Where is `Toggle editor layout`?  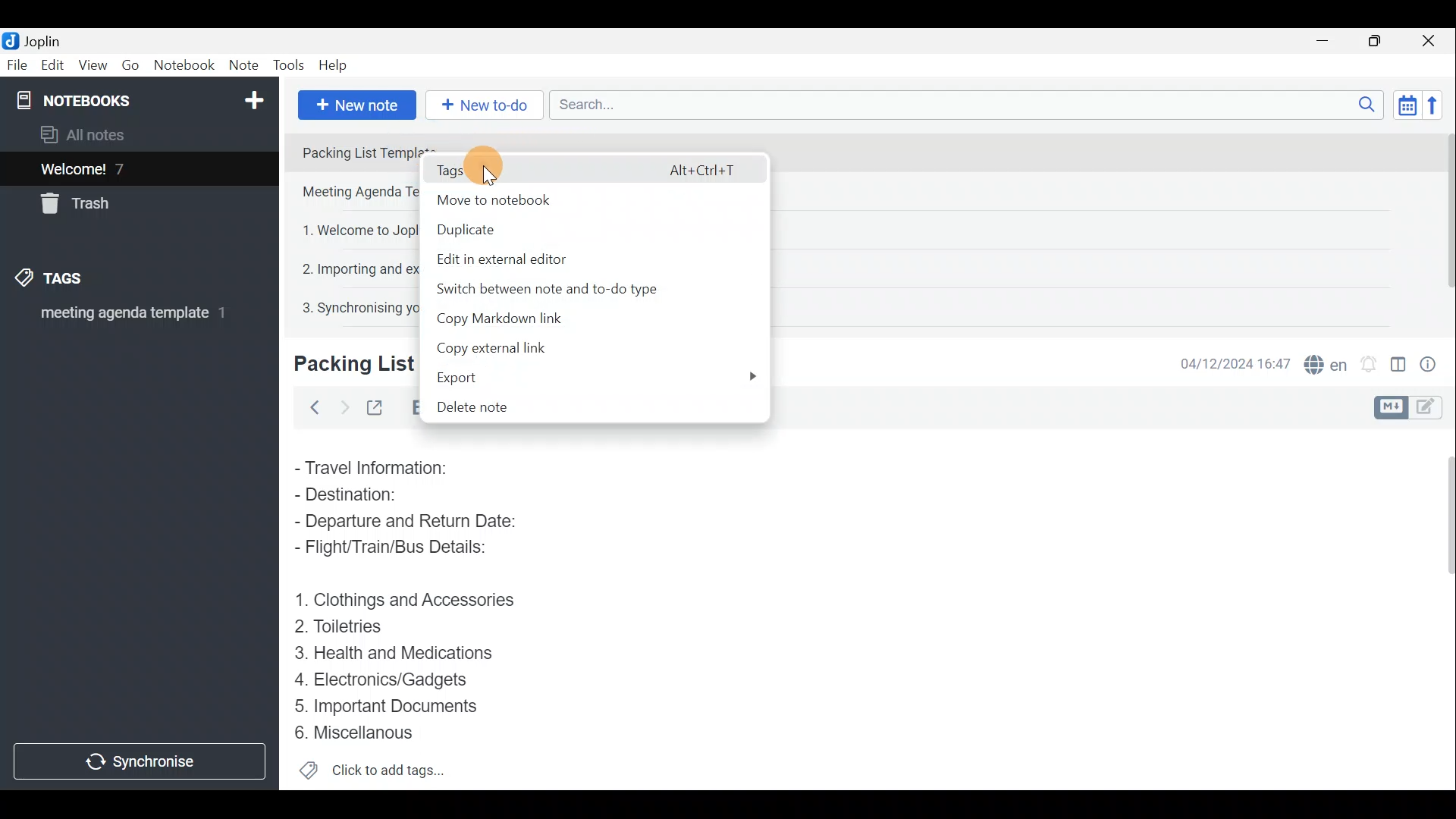 Toggle editor layout is located at coordinates (1398, 359).